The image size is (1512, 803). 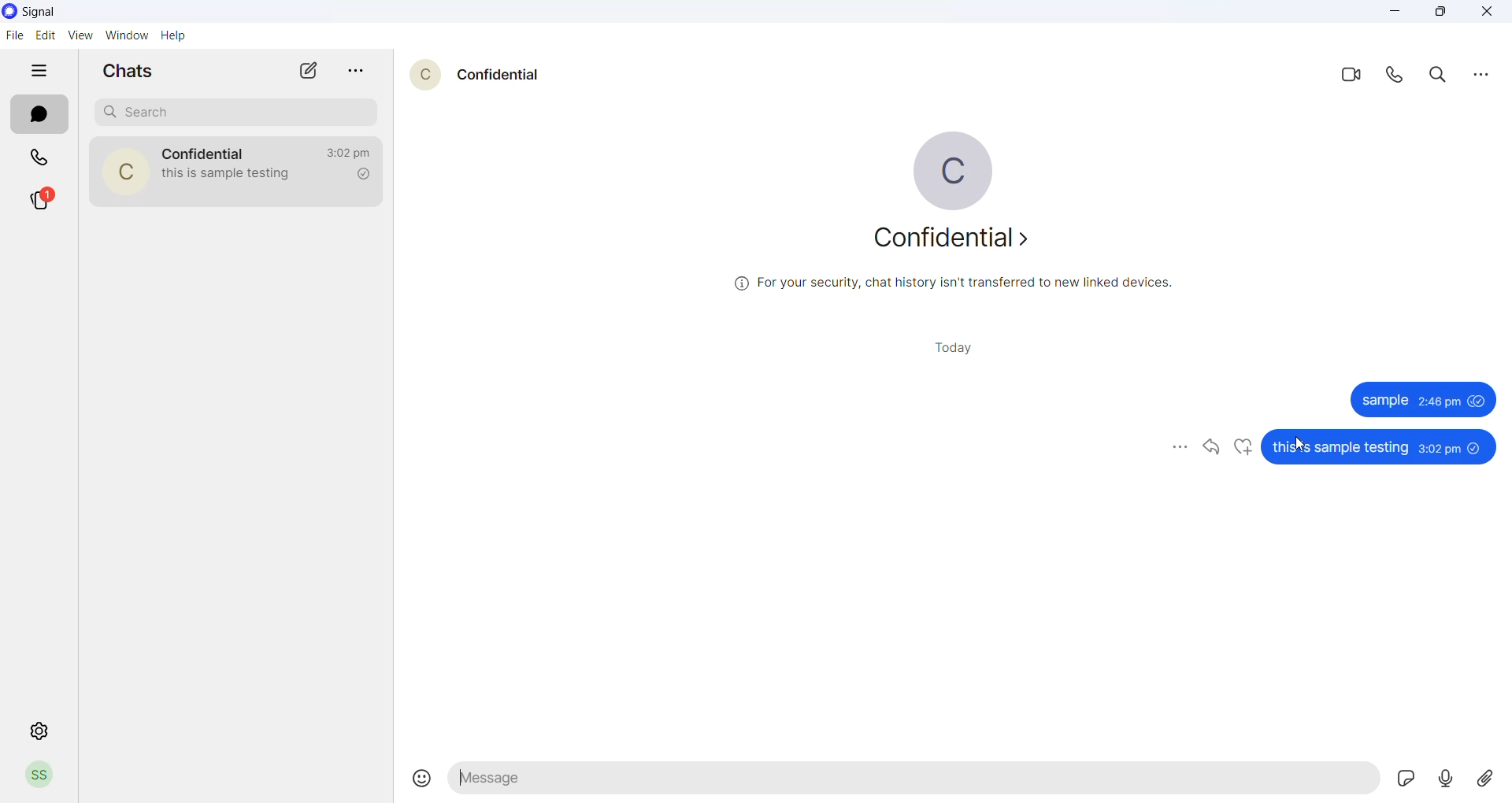 What do you see at coordinates (1174, 448) in the screenshot?
I see `options` at bounding box center [1174, 448].